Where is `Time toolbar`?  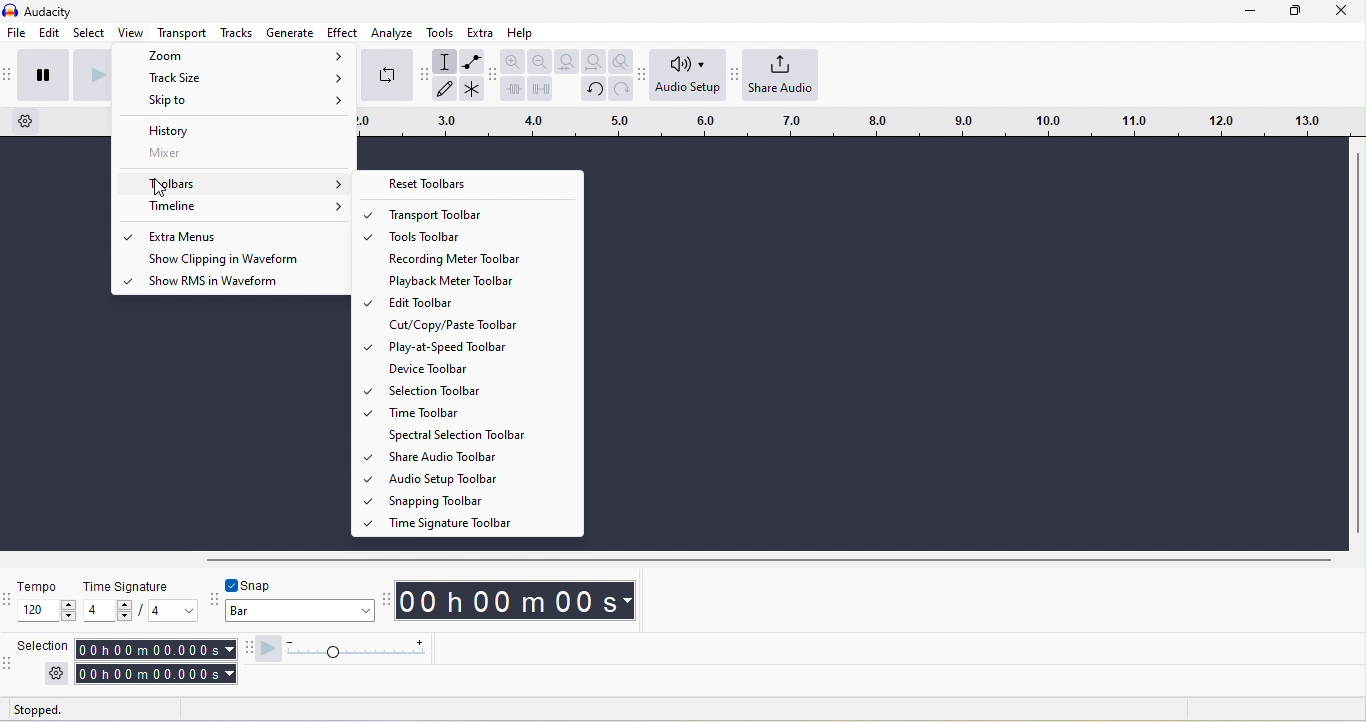
Time toolbar is located at coordinates (478, 412).